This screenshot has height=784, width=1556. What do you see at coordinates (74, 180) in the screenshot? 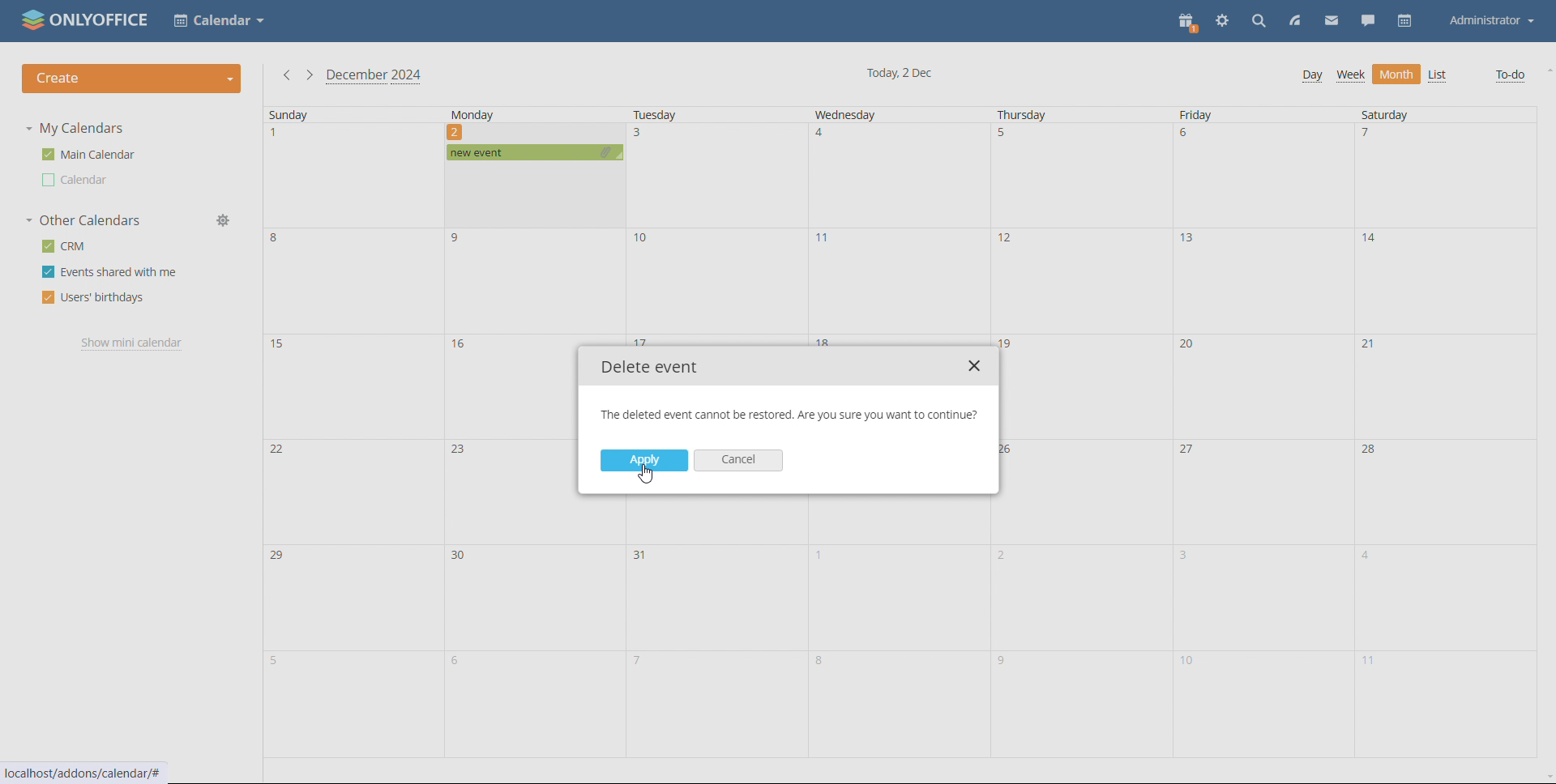
I see `Calendar` at bounding box center [74, 180].